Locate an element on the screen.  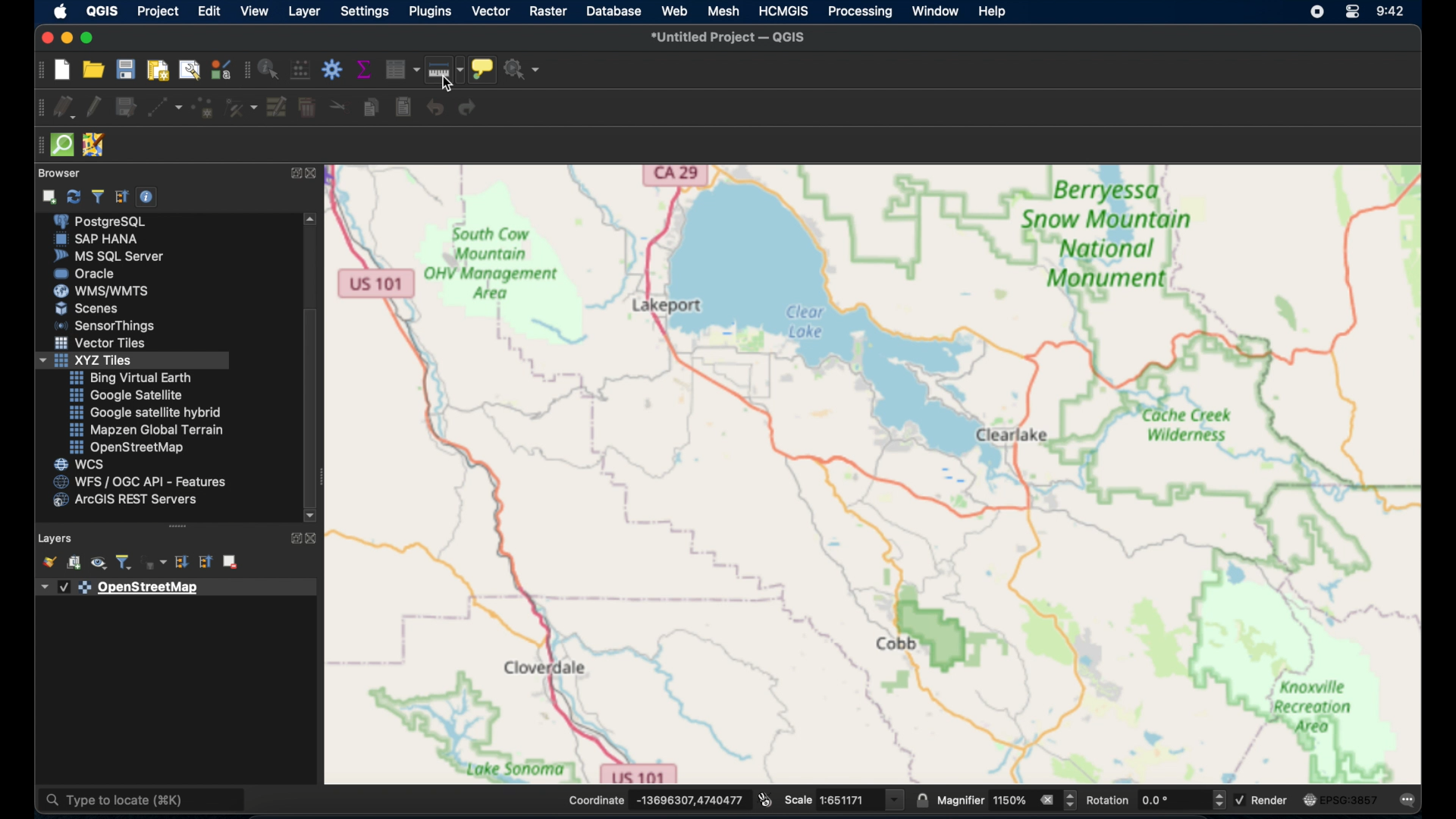
settings is located at coordinates (366, 11).